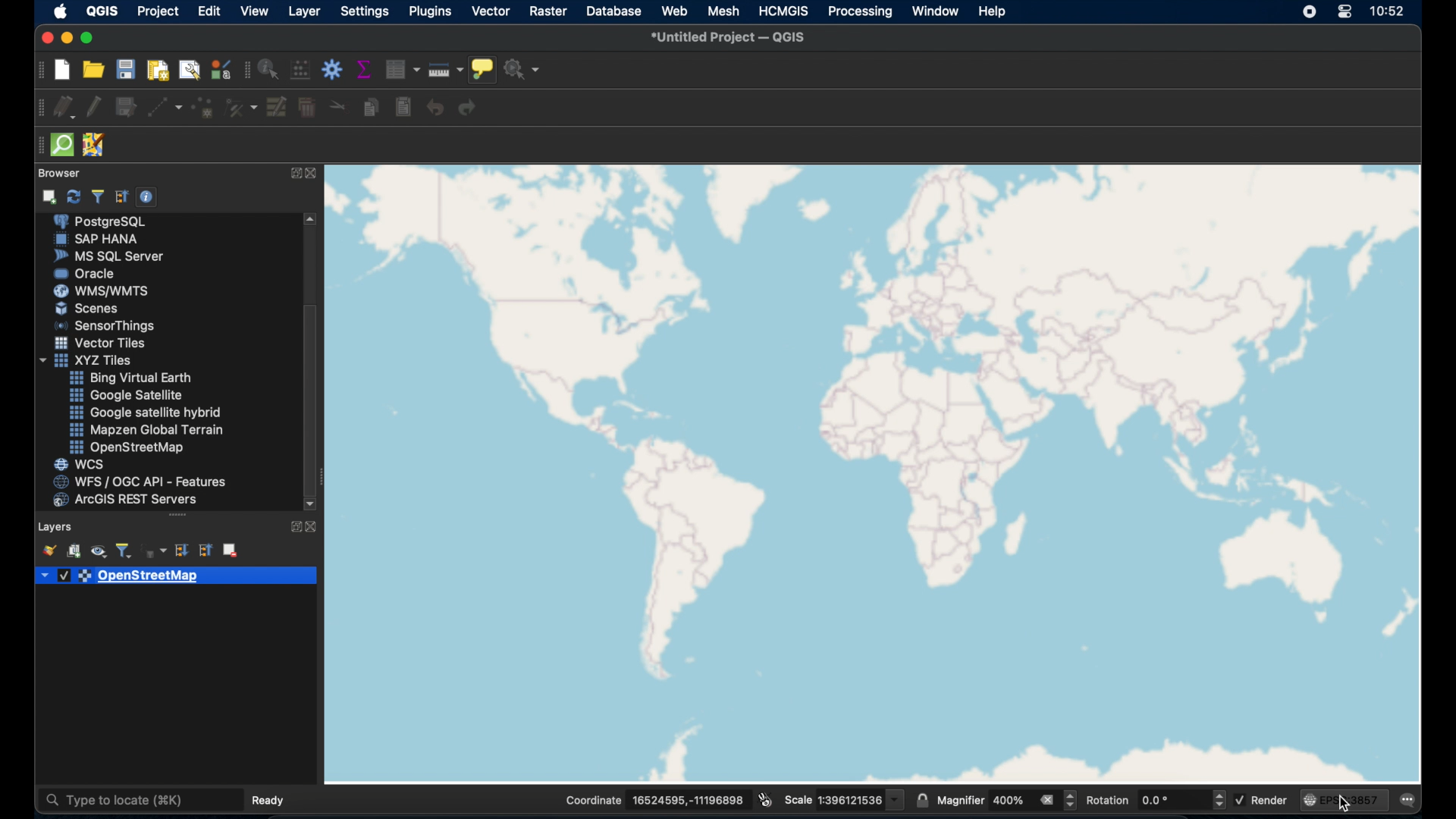 The width and height of the screenshot is (1456, 819). Describe the element at coordinates (312, 504) in the screenshot. I see `scroll down arrow` at that location.